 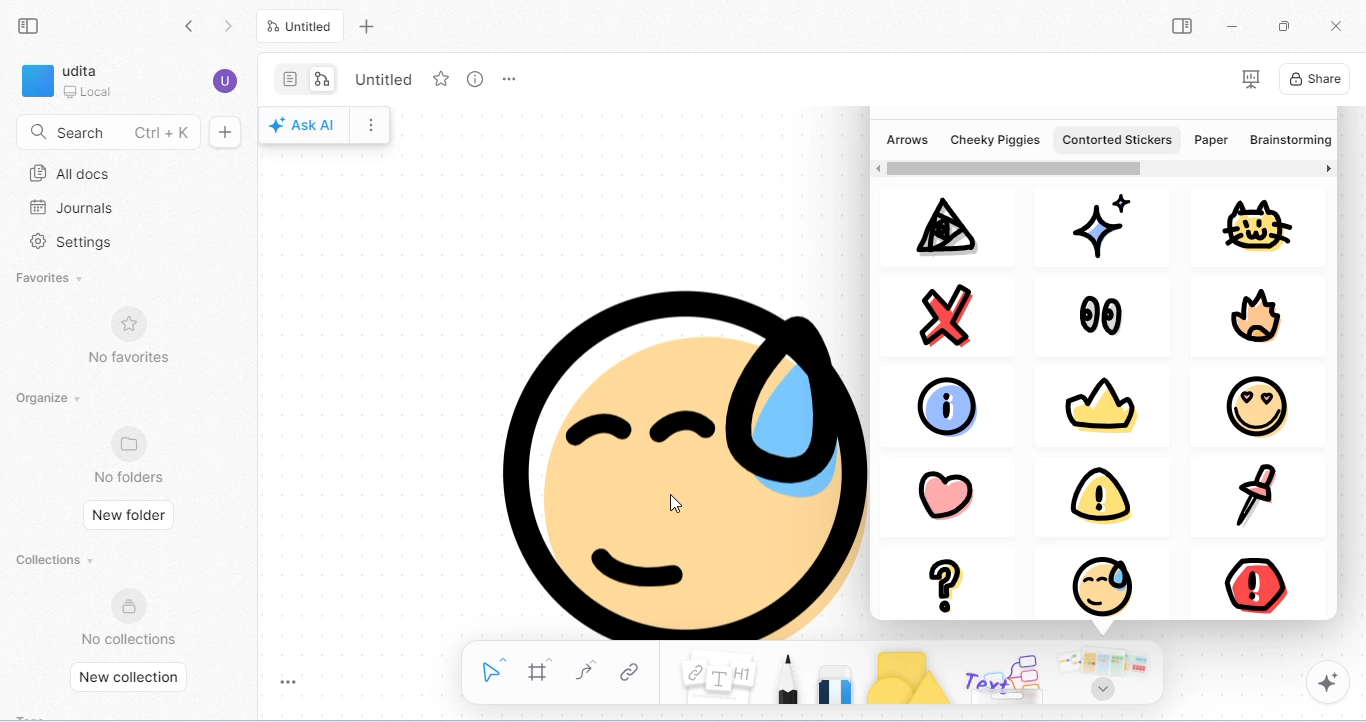 What do you see at coordinates (291, 79) in the screenshot?
I see `page mode` at bounding box center [291, 79].